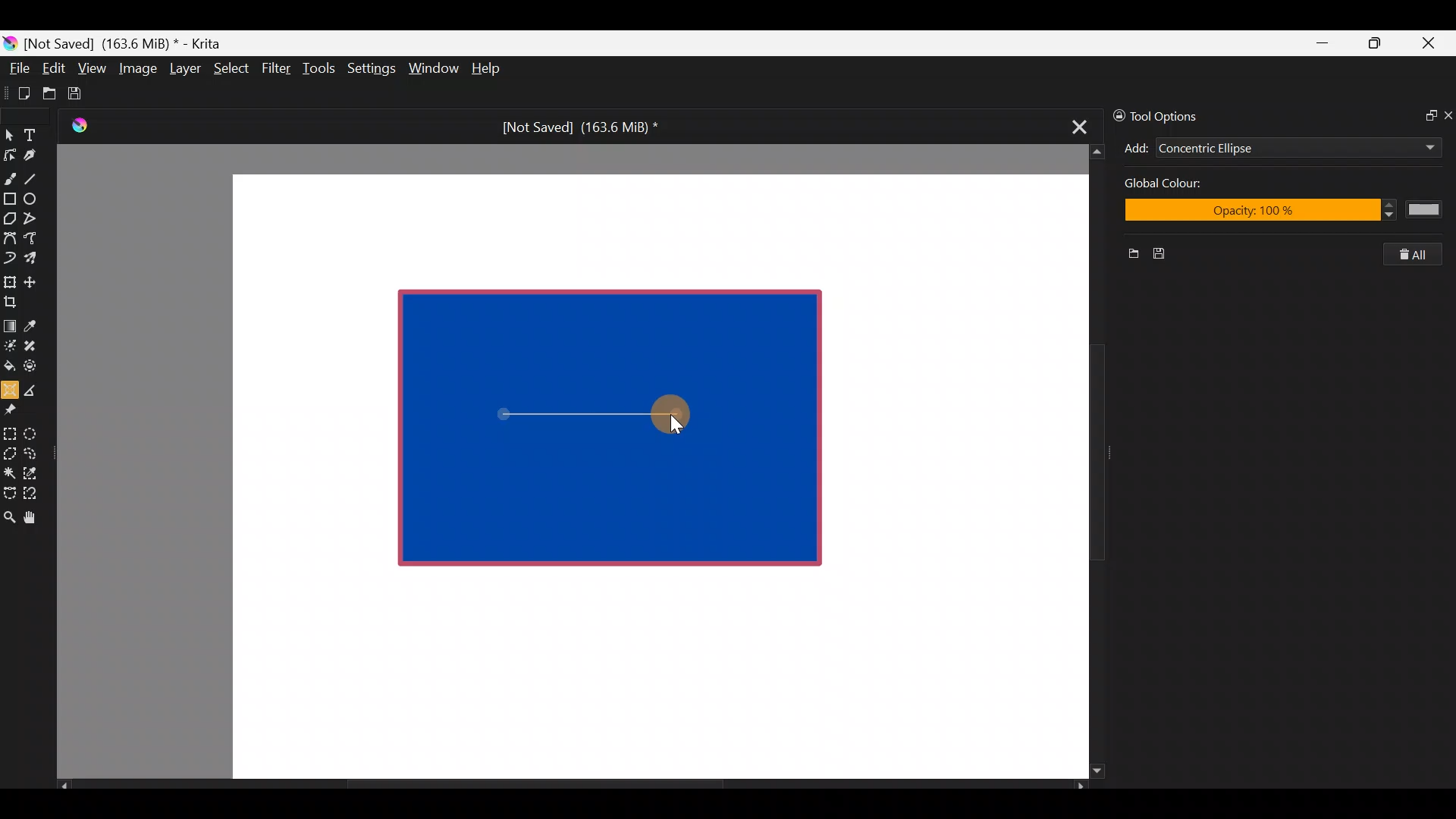 This screenshot has width=1456, height=819. I want to click on Close tab, so click(1075, 124).